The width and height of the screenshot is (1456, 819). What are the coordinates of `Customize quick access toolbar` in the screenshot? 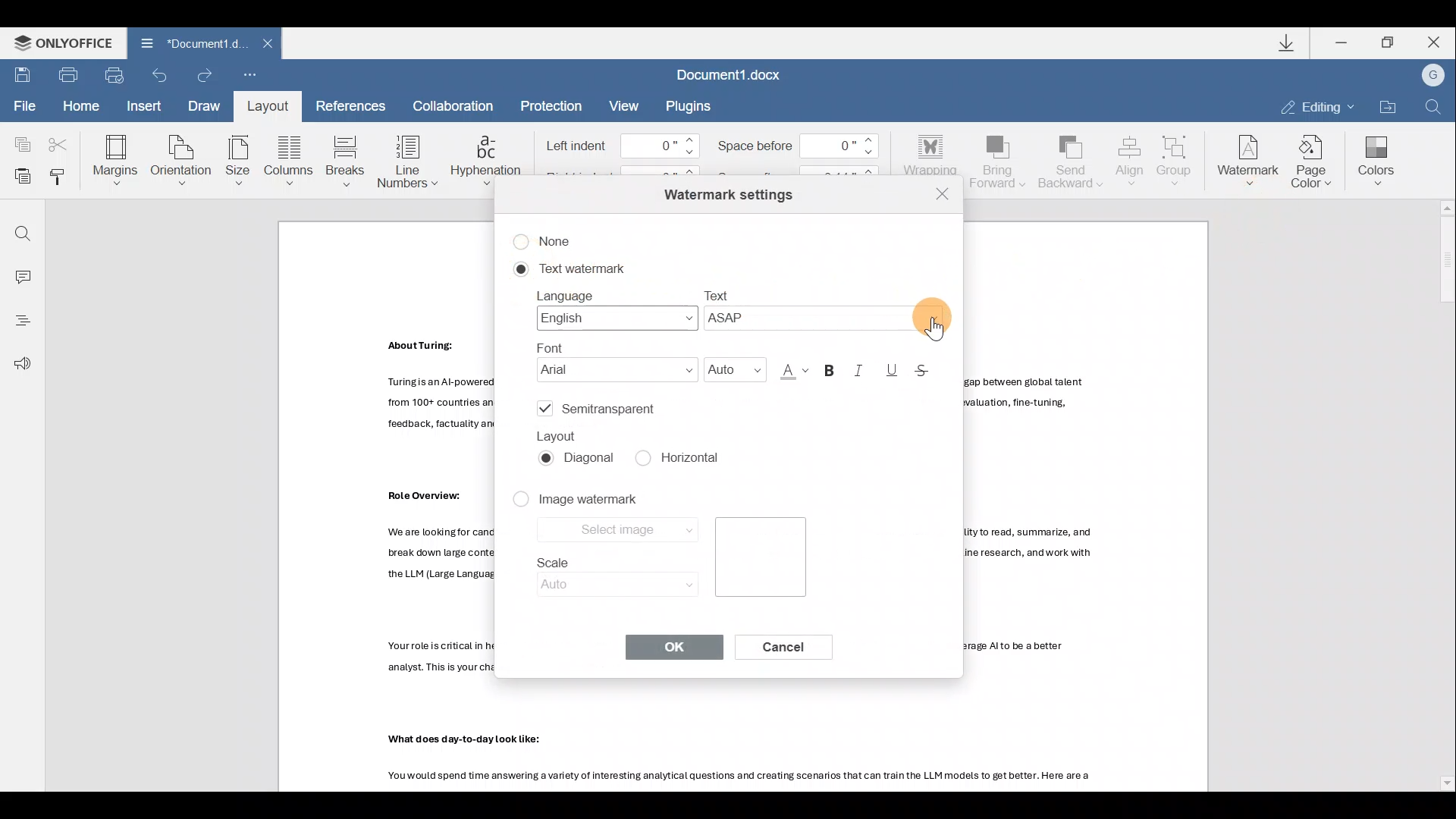 It's located at (246, 76).